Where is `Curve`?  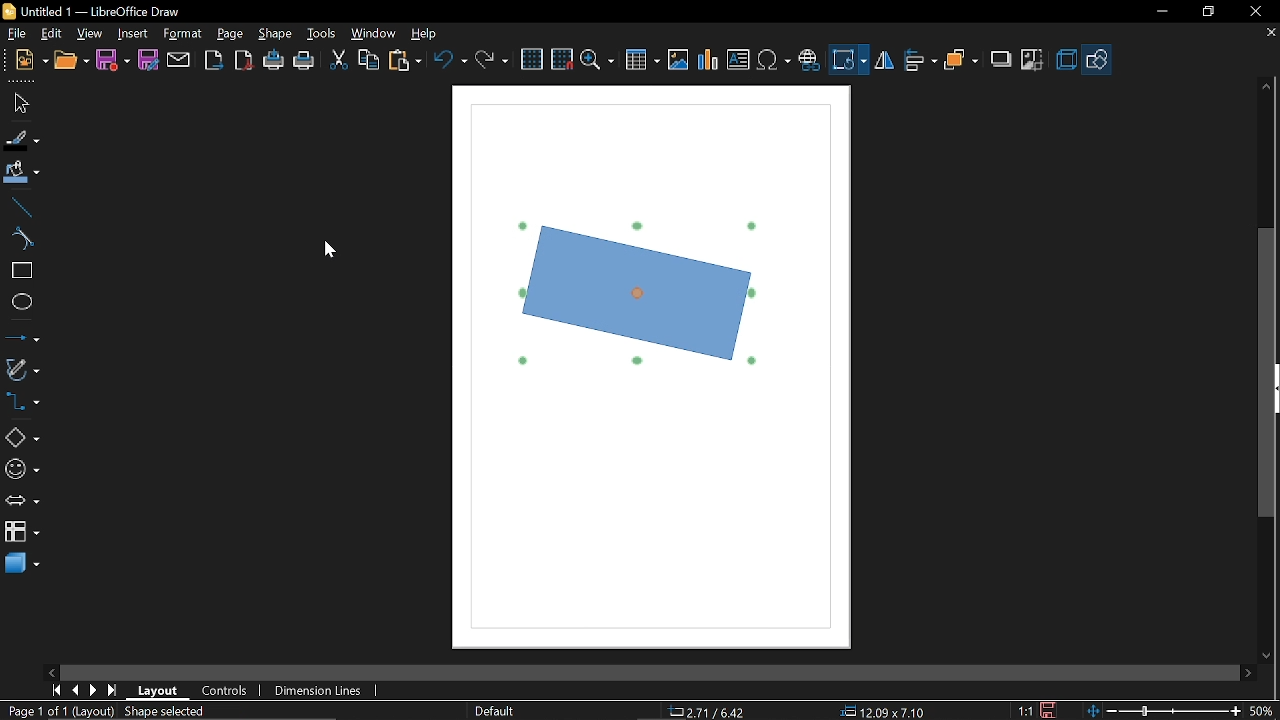 Curve is located at coordinates (19, 239).